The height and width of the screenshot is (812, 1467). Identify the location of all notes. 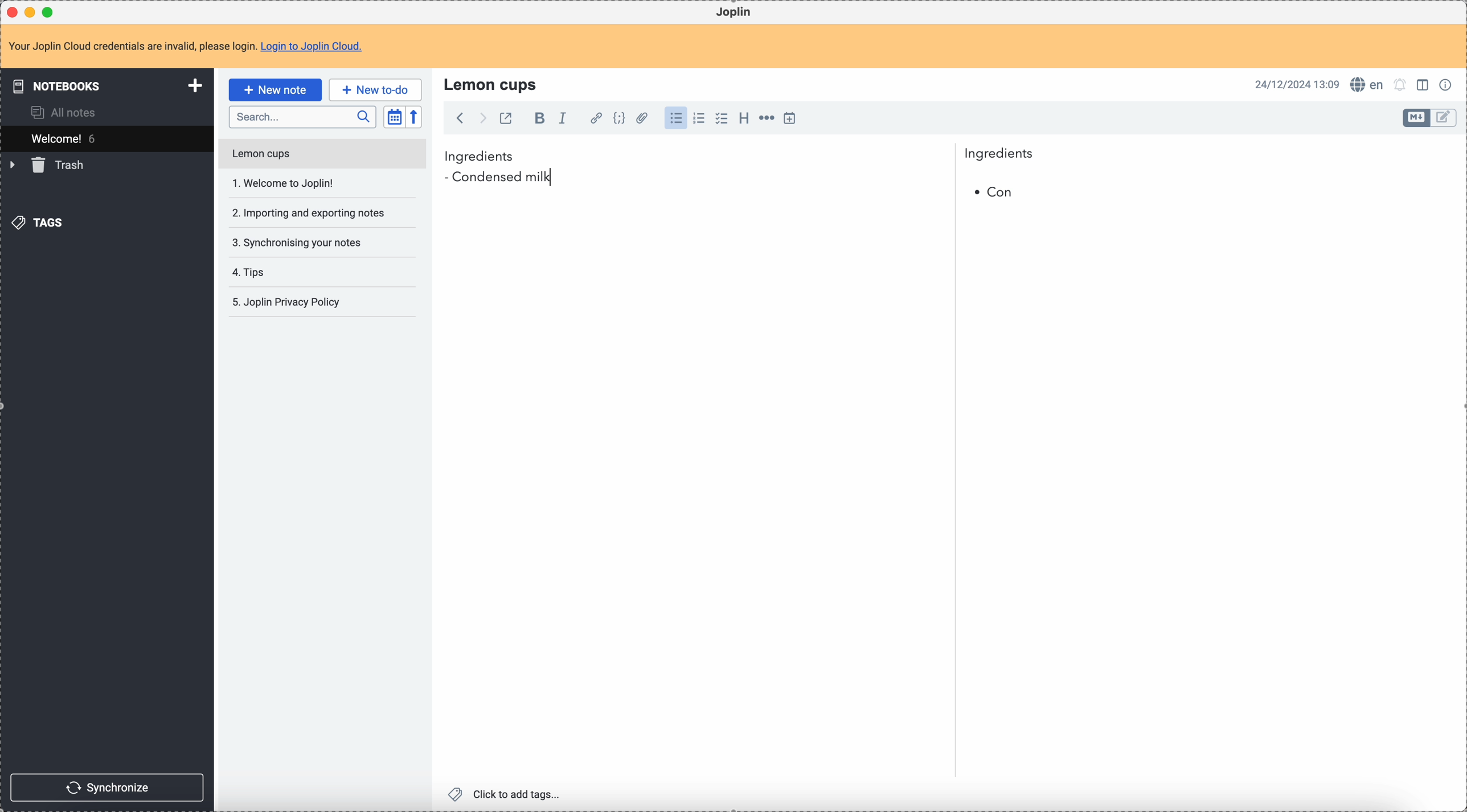
(67, 112).